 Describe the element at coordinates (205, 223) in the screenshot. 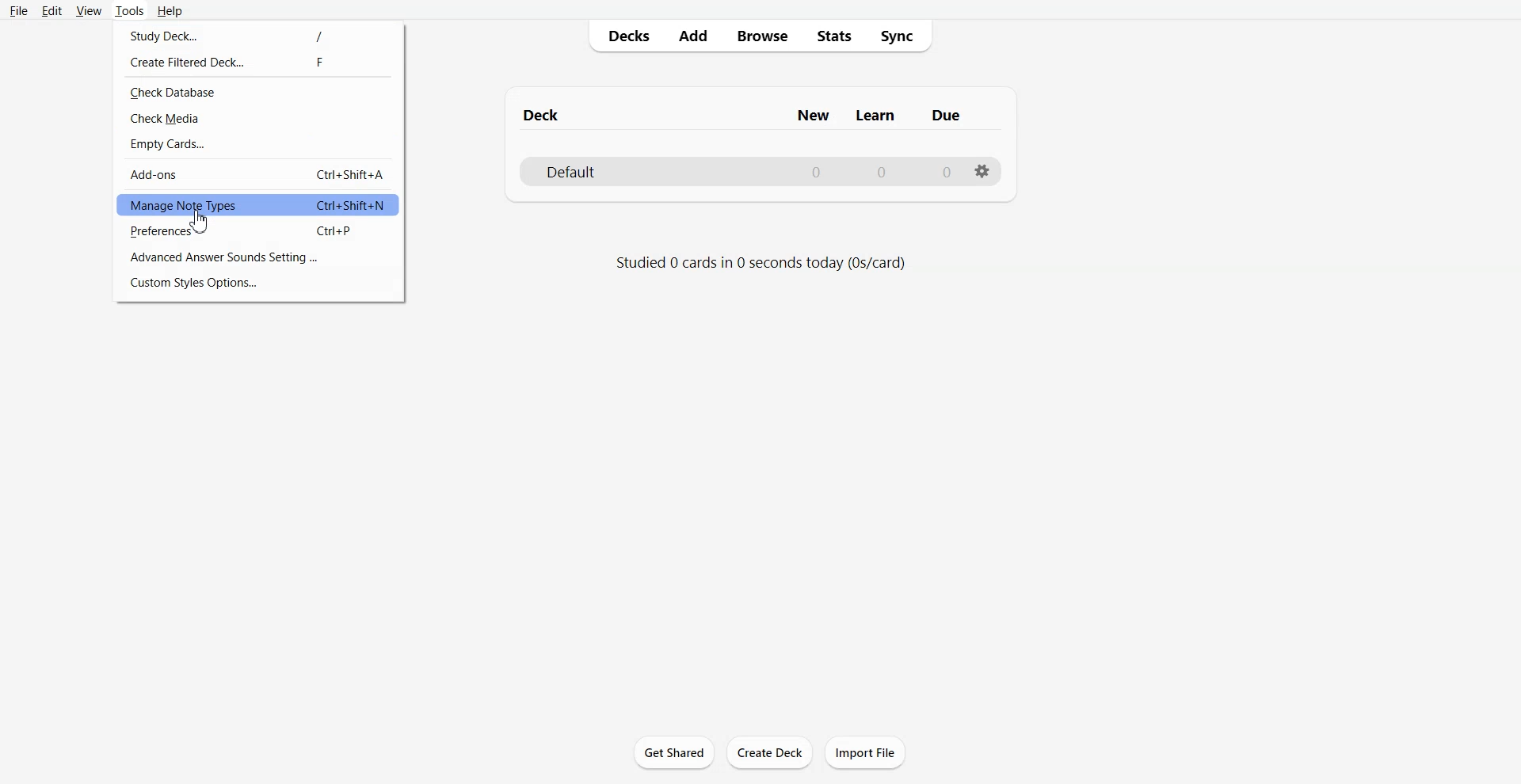

I see `cursor` at that location.